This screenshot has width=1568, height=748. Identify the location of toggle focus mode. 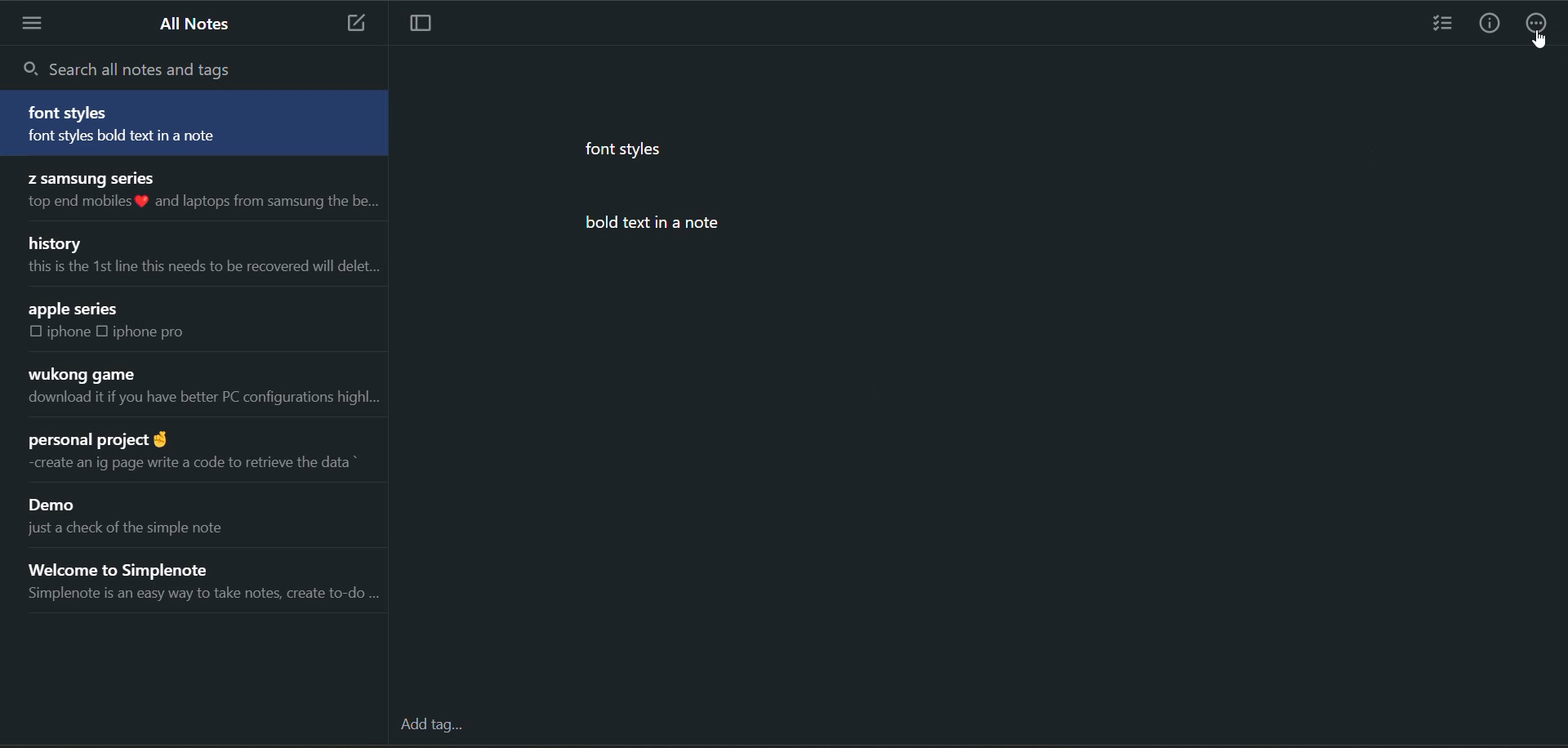
(429, 24).